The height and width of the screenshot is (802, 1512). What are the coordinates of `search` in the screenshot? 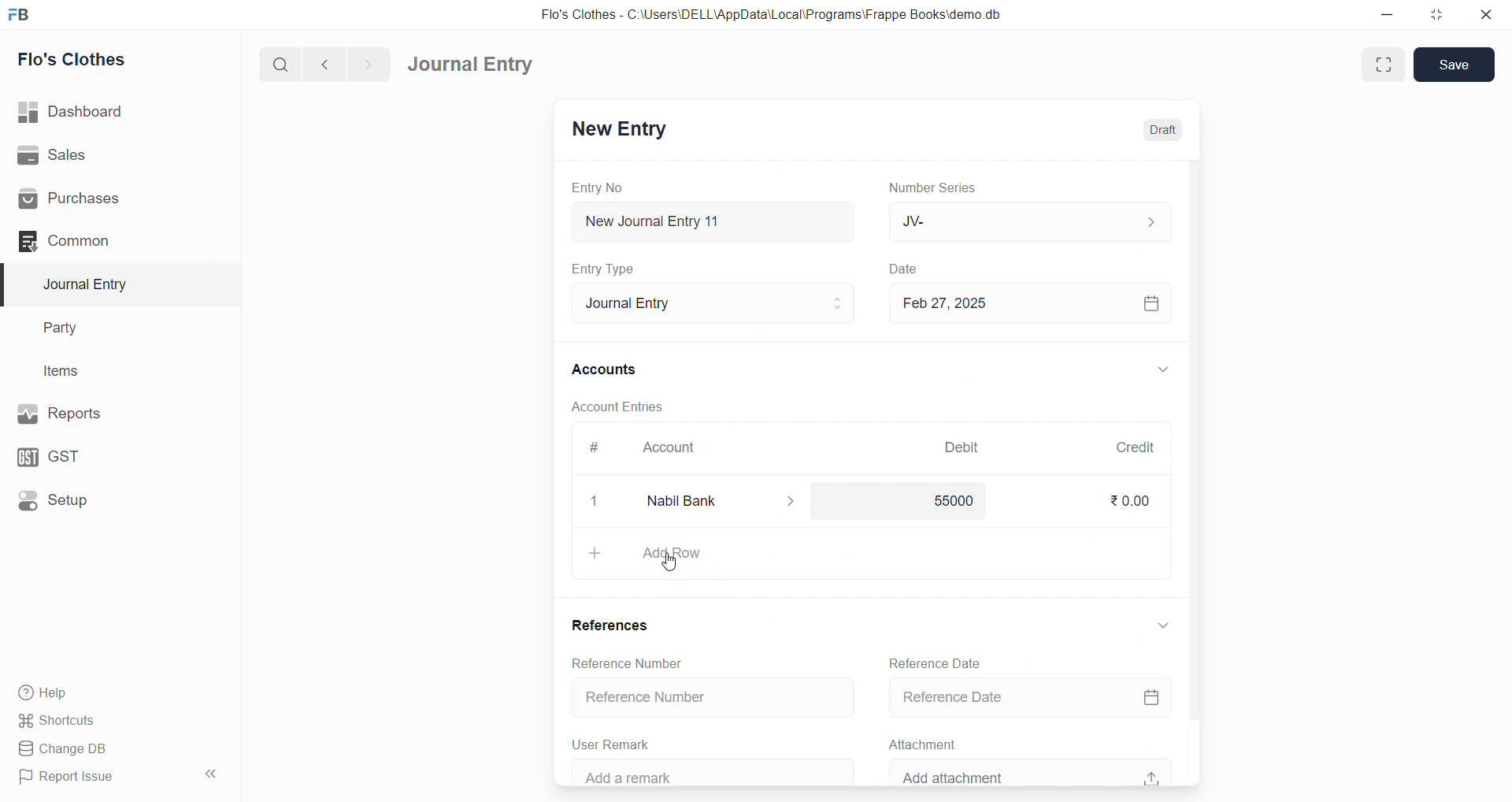 It's located at (278, 66).